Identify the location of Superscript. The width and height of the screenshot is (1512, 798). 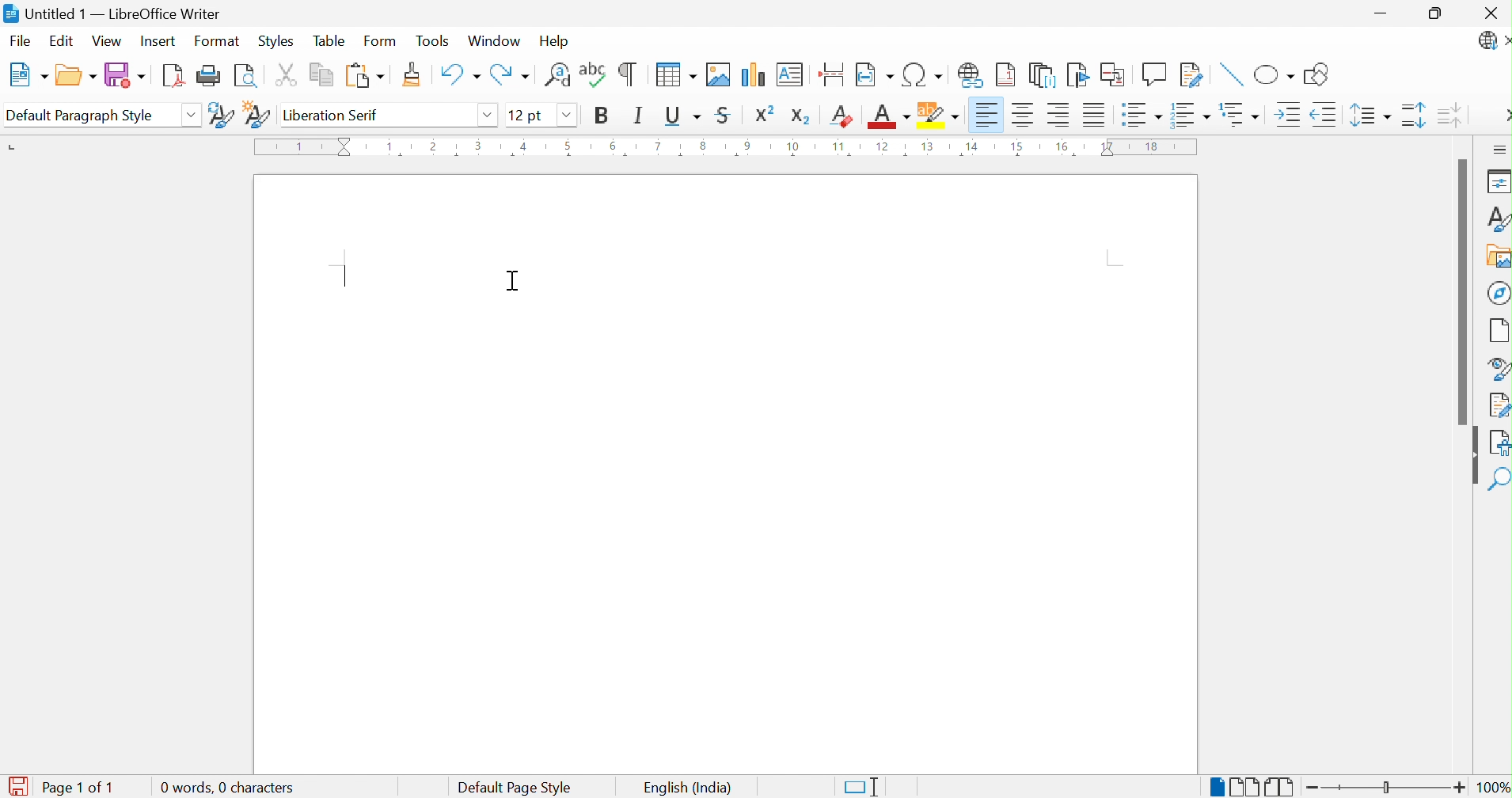
(765, 114).